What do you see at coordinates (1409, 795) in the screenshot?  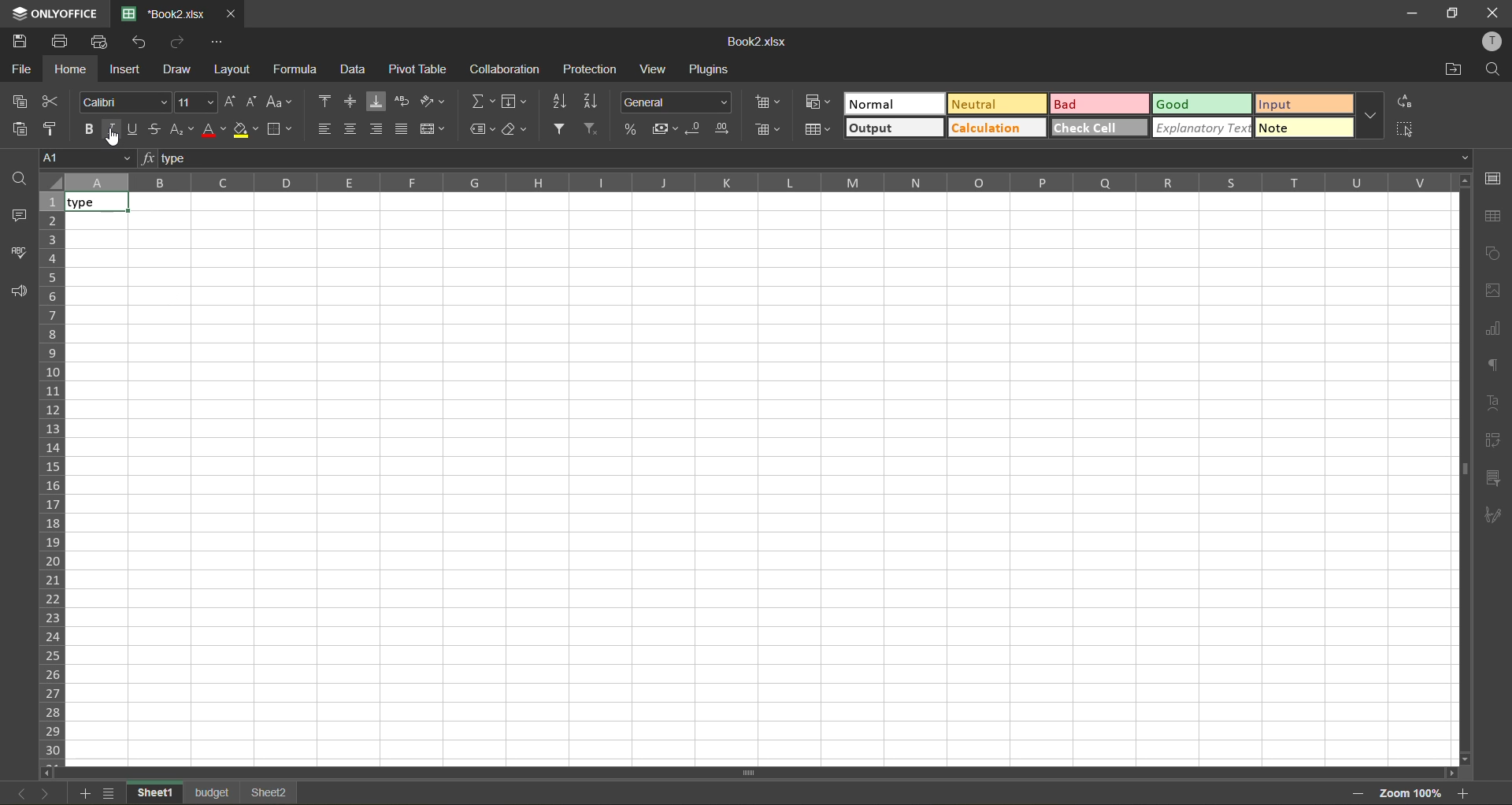 I see `zoom factor` at bounding box center [1409, 795].